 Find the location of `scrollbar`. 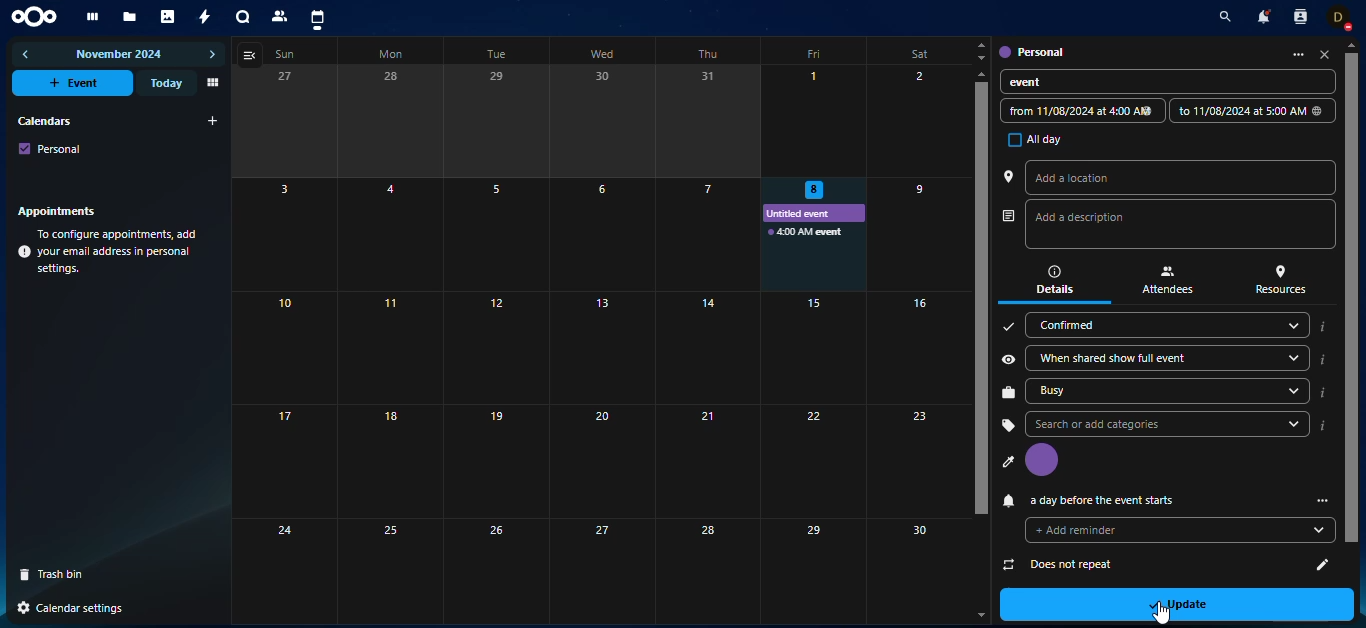

scrollbar is located at coordinates (981, 303).